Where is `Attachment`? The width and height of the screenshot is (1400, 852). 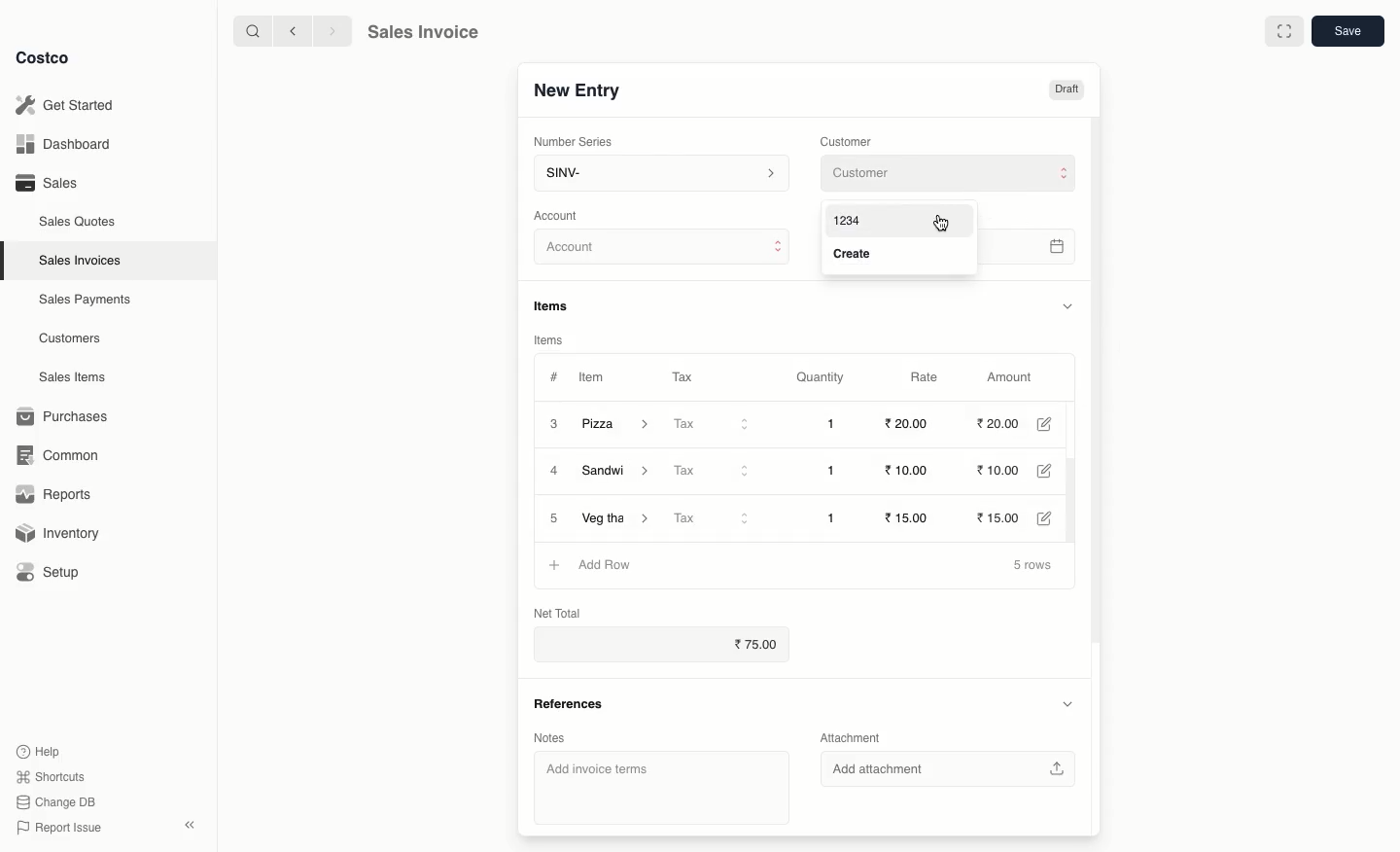 Attachment is located at coordinates (852, 739).